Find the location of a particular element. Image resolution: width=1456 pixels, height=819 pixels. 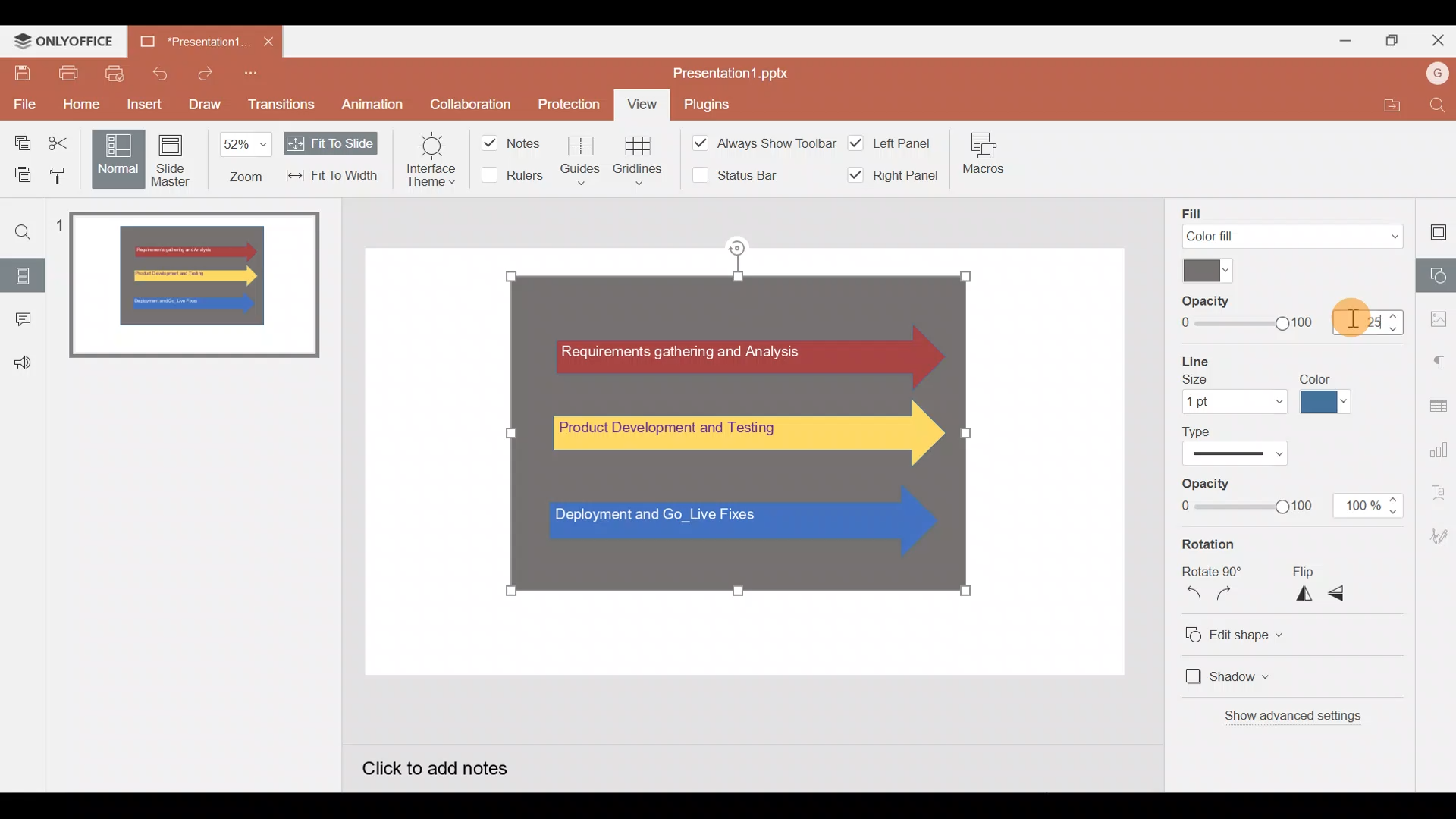

ONLYOFFICE is located at coordinates (64, 42).